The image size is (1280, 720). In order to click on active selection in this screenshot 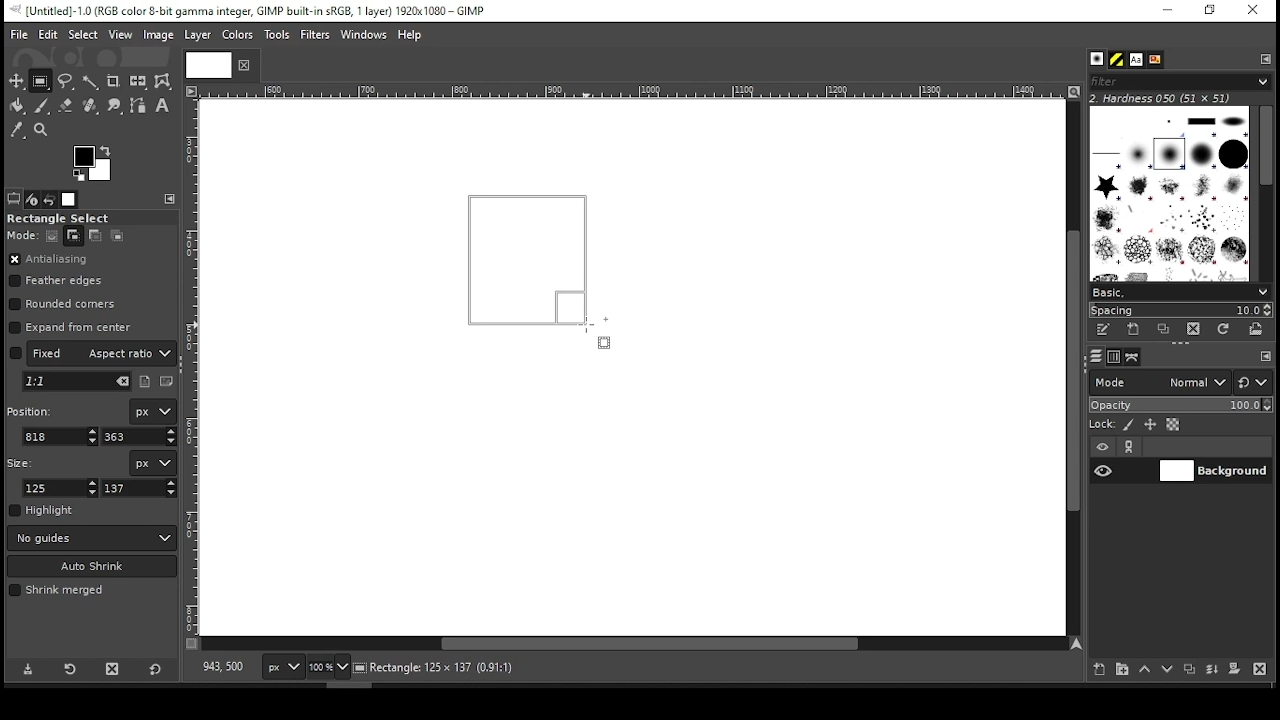, I will do `click(536, 268)`.